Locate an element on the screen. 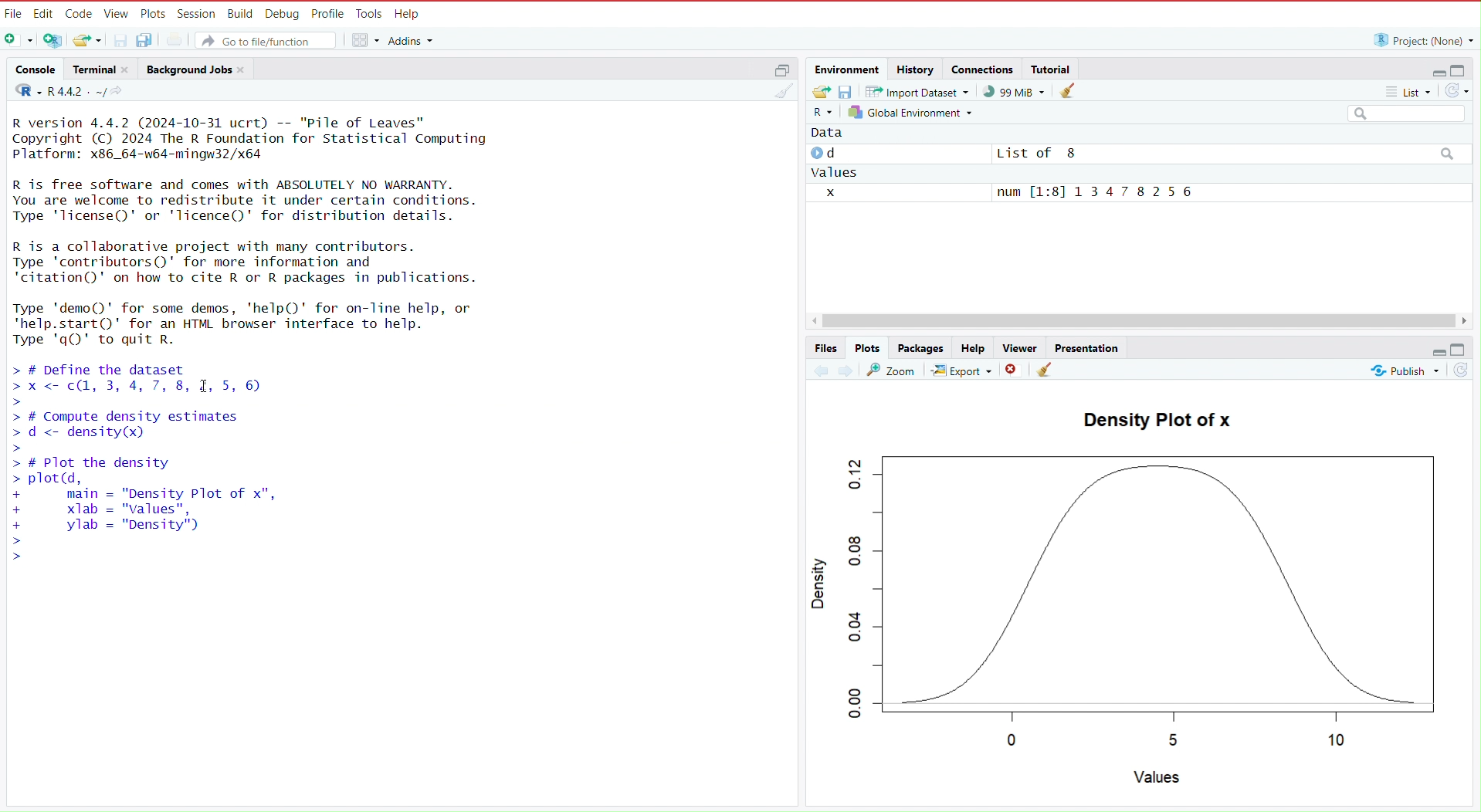 This screenshot has height=812, width=1481. load workspace is located at coordinates (819, 92).